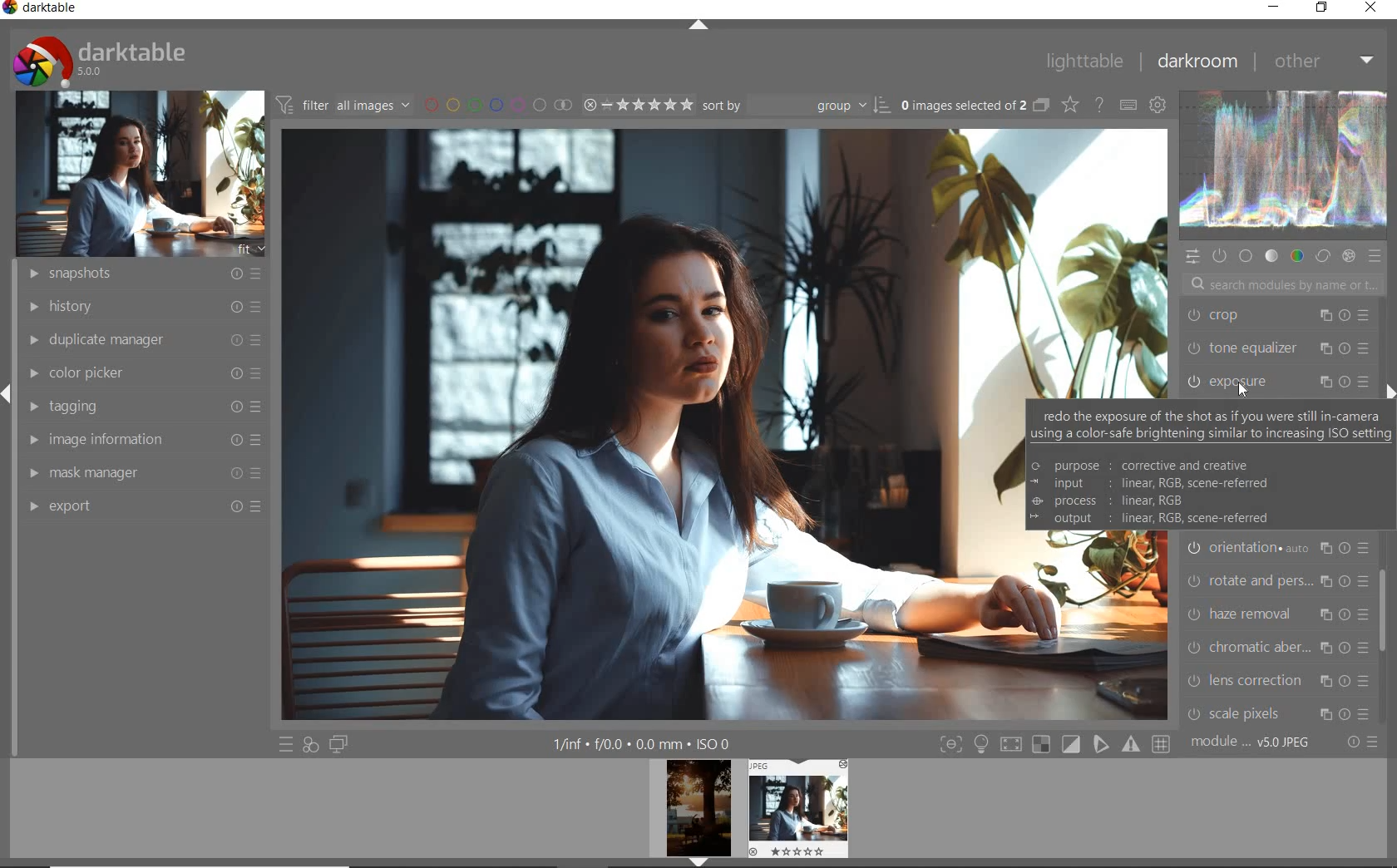  What do you see at coordinates (1243, 392) in the screenshot?
I see `Cursor` at bounding box center [1243, 392].